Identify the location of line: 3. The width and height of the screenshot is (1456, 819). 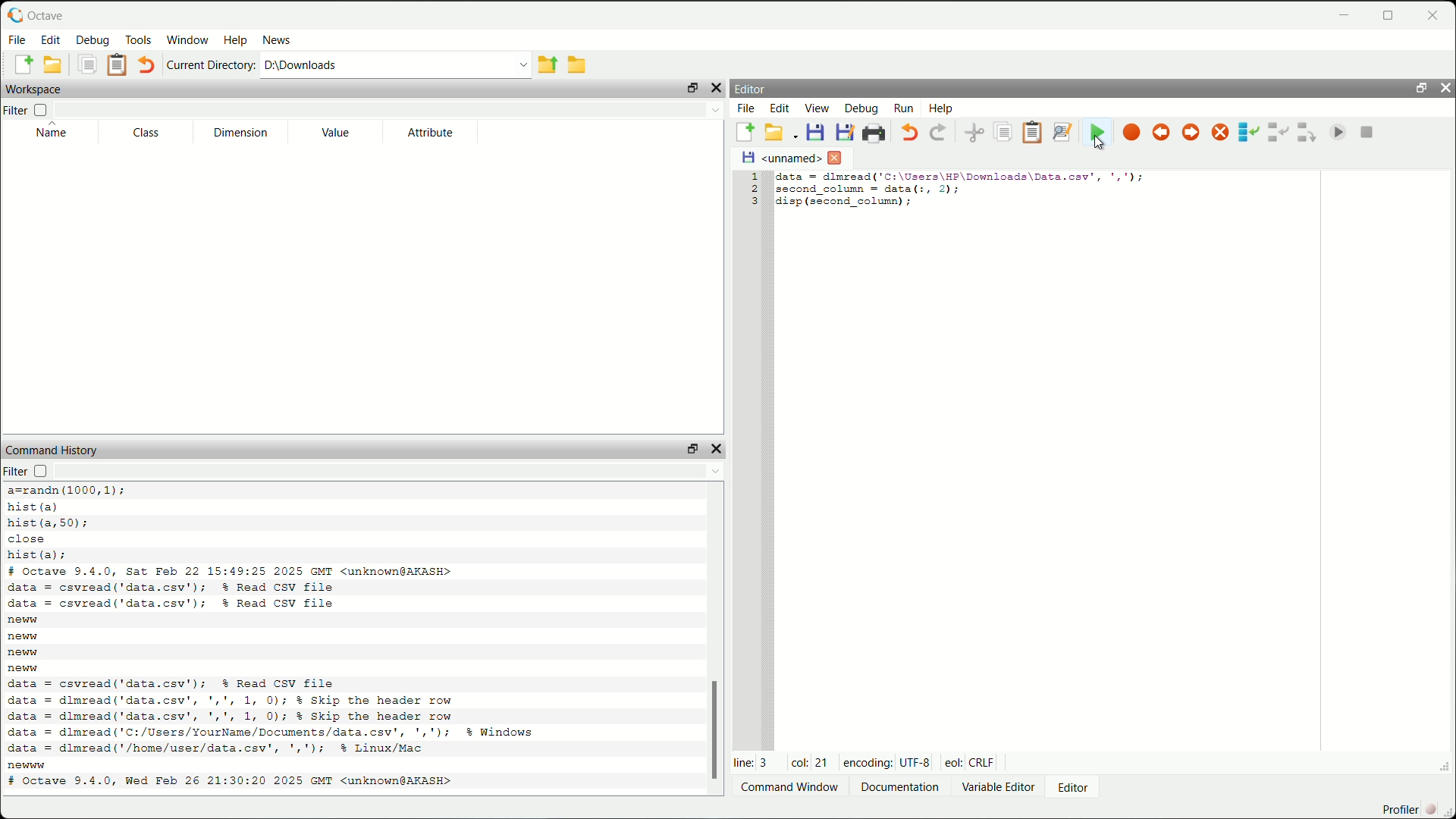
(748, 761).